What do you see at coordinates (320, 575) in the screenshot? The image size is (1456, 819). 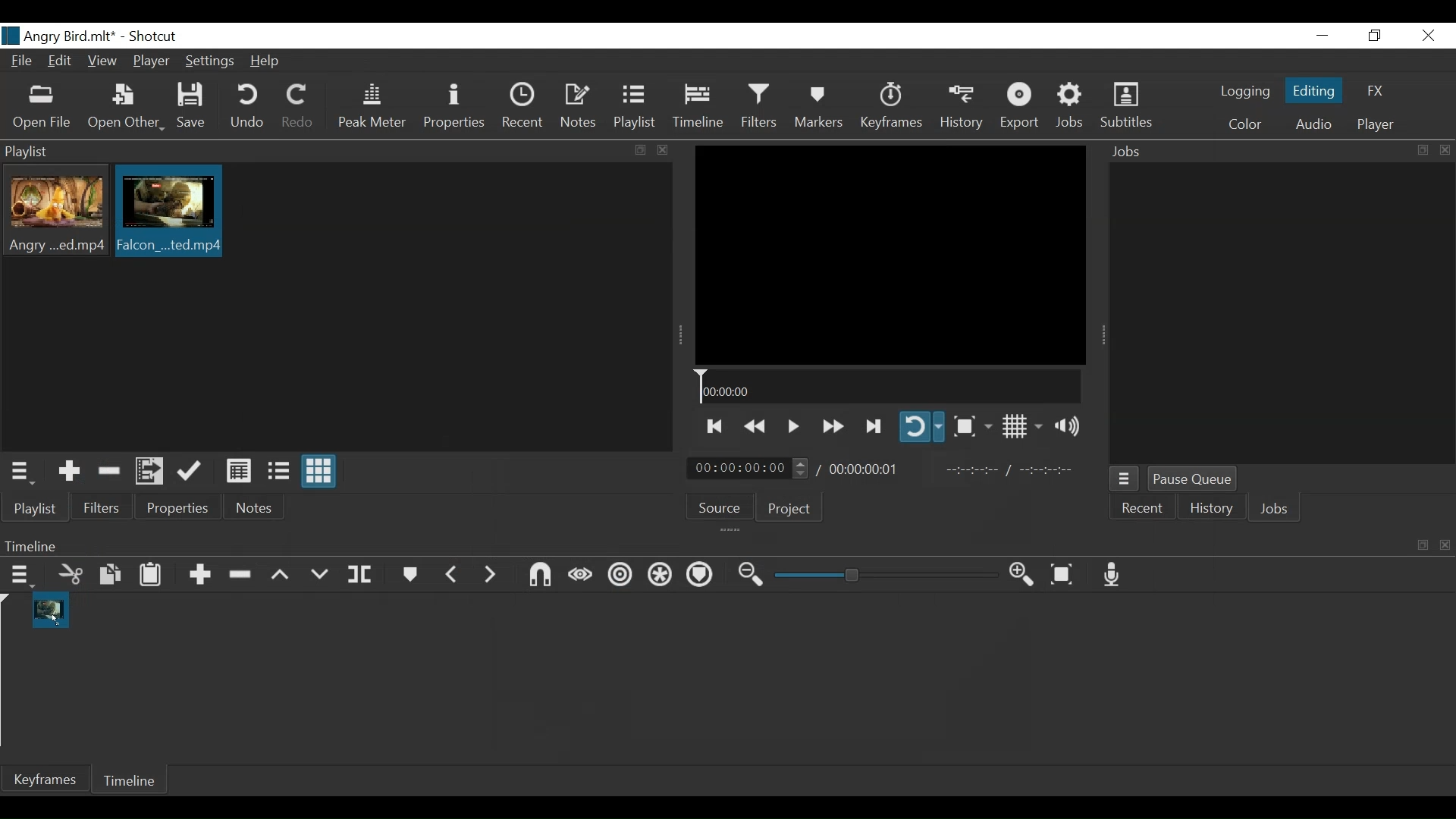 I see `Overwrite` at bounding box center [320, 575].